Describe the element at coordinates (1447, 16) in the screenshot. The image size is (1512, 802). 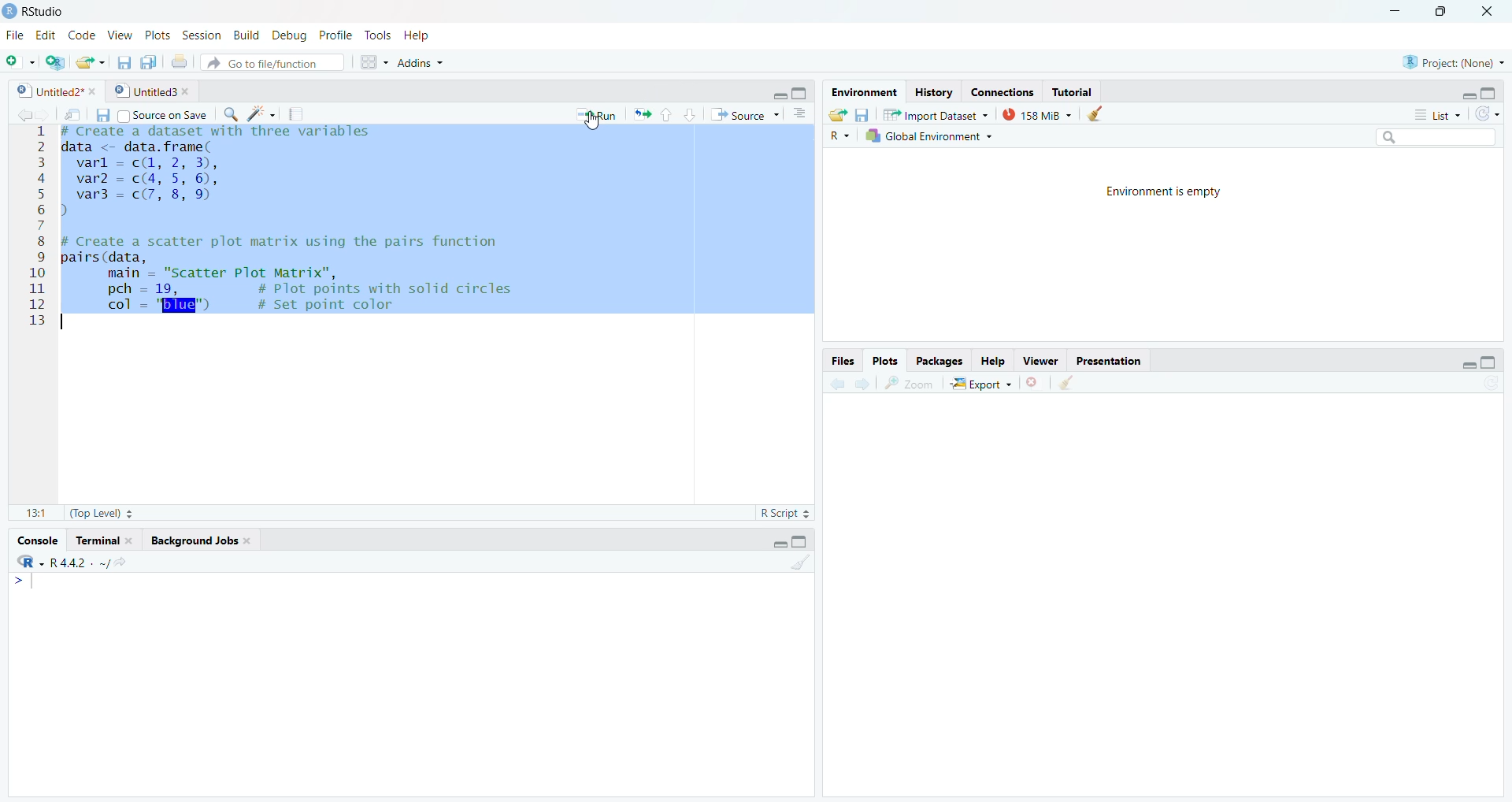
I see `Maximize` at that location.